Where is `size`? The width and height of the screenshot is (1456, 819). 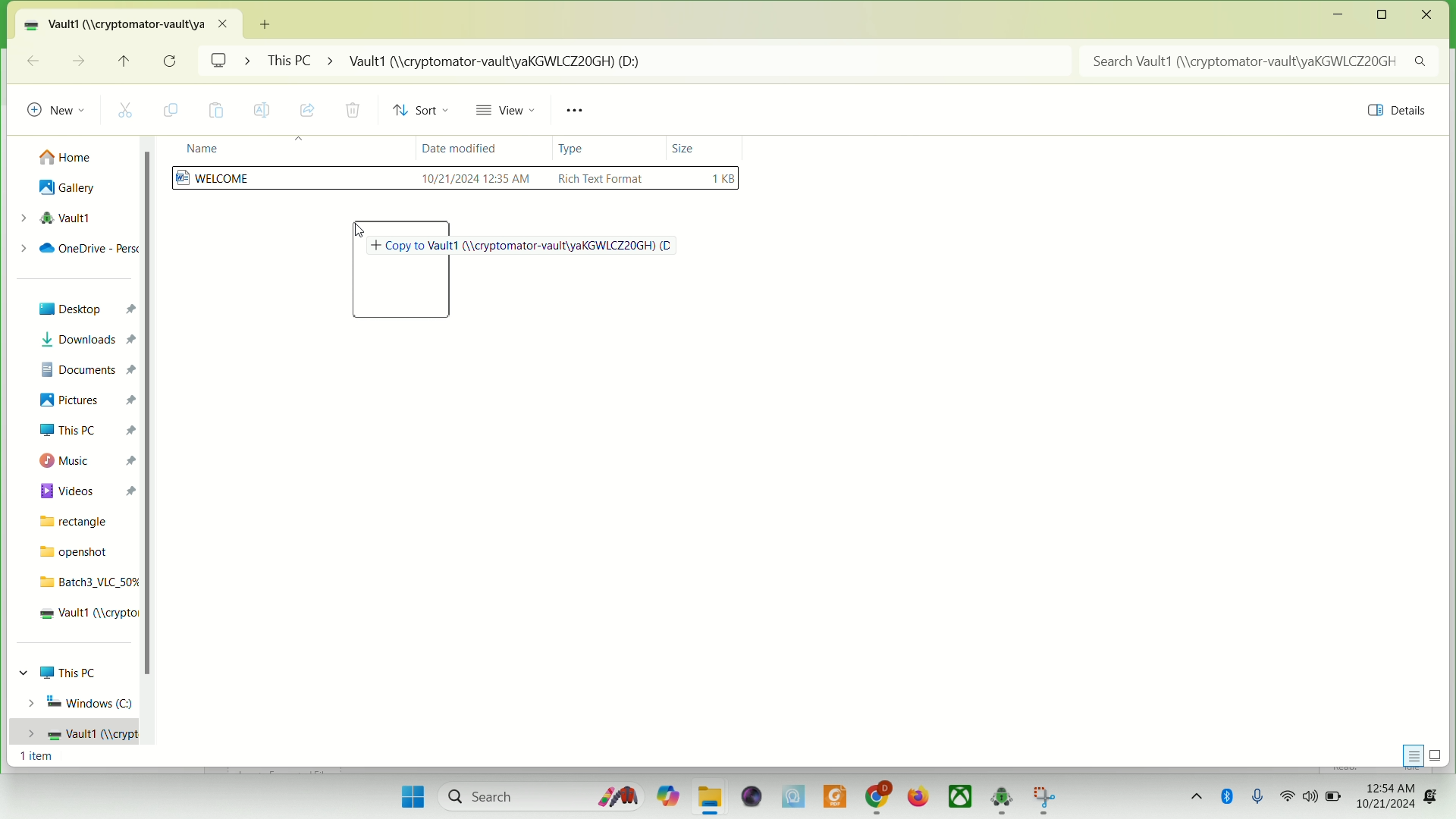 size is located at coordinates (684, 146).